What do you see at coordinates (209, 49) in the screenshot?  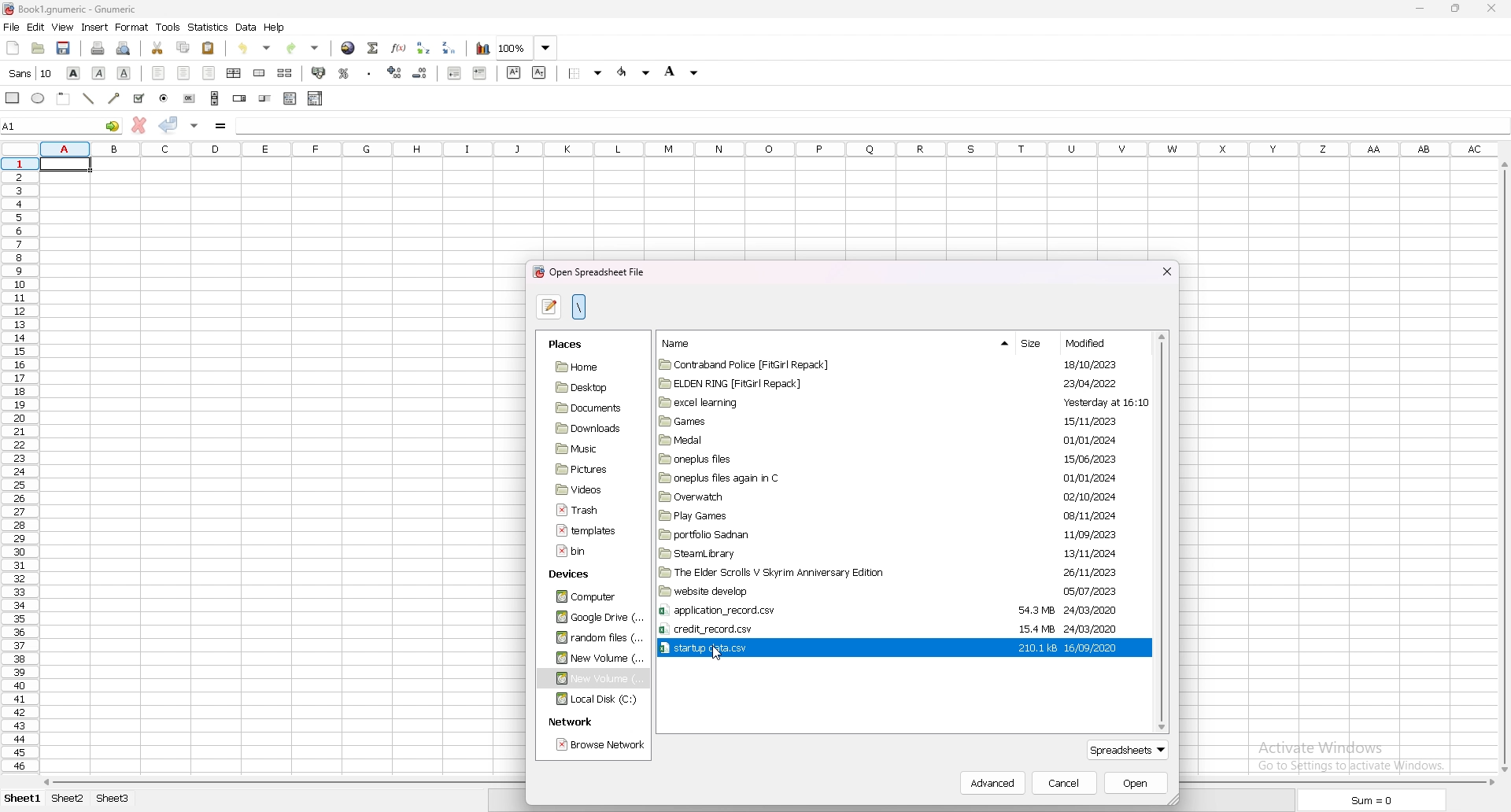 I see `paste` at bounding box center [209, 49].